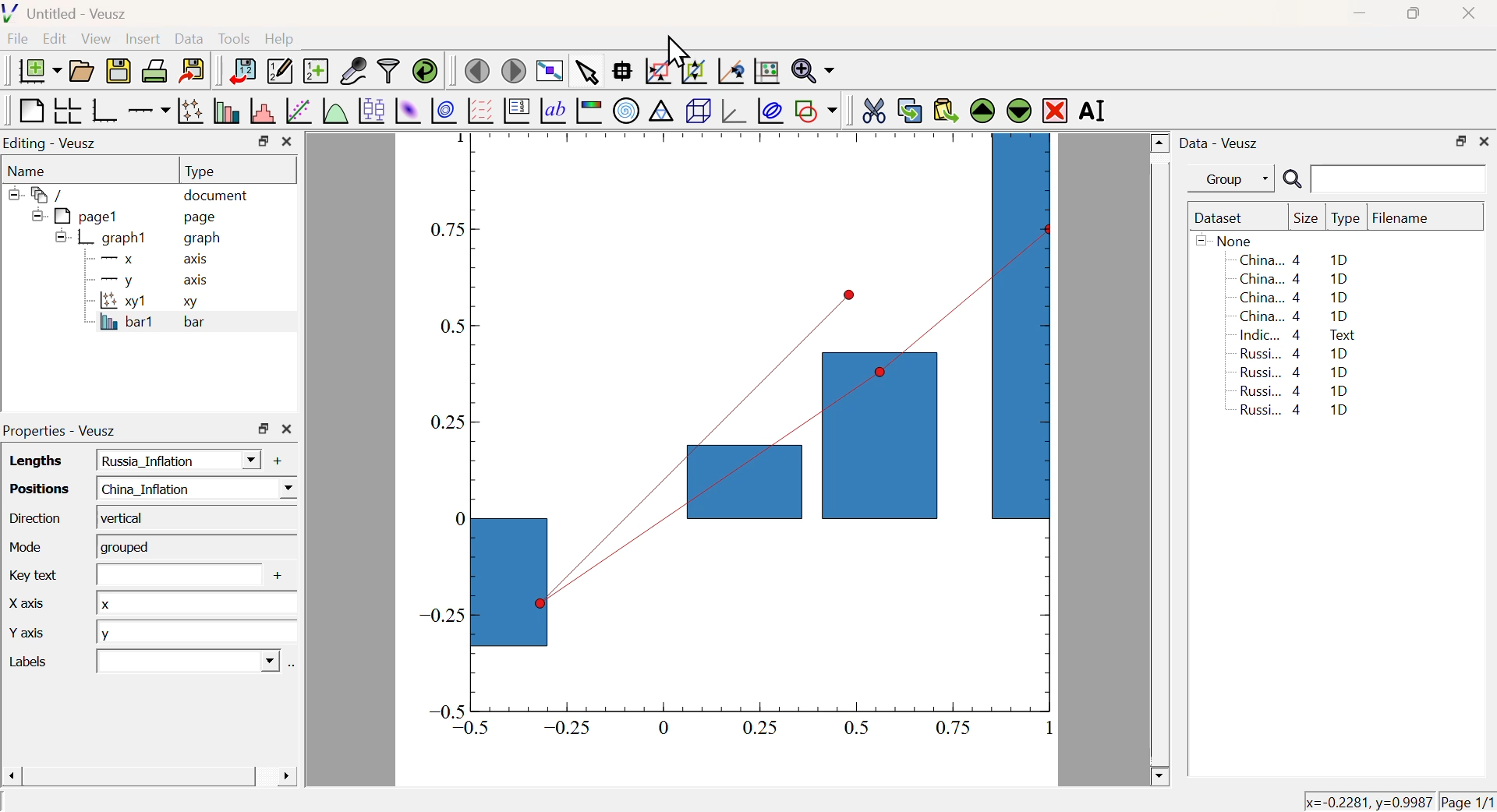 Image resolution: width=1497 pixels, height=812 pixels. What do you see at coordinates (200, 171) in the screenshot?
I see `Type` at bounding box center [200, 171].